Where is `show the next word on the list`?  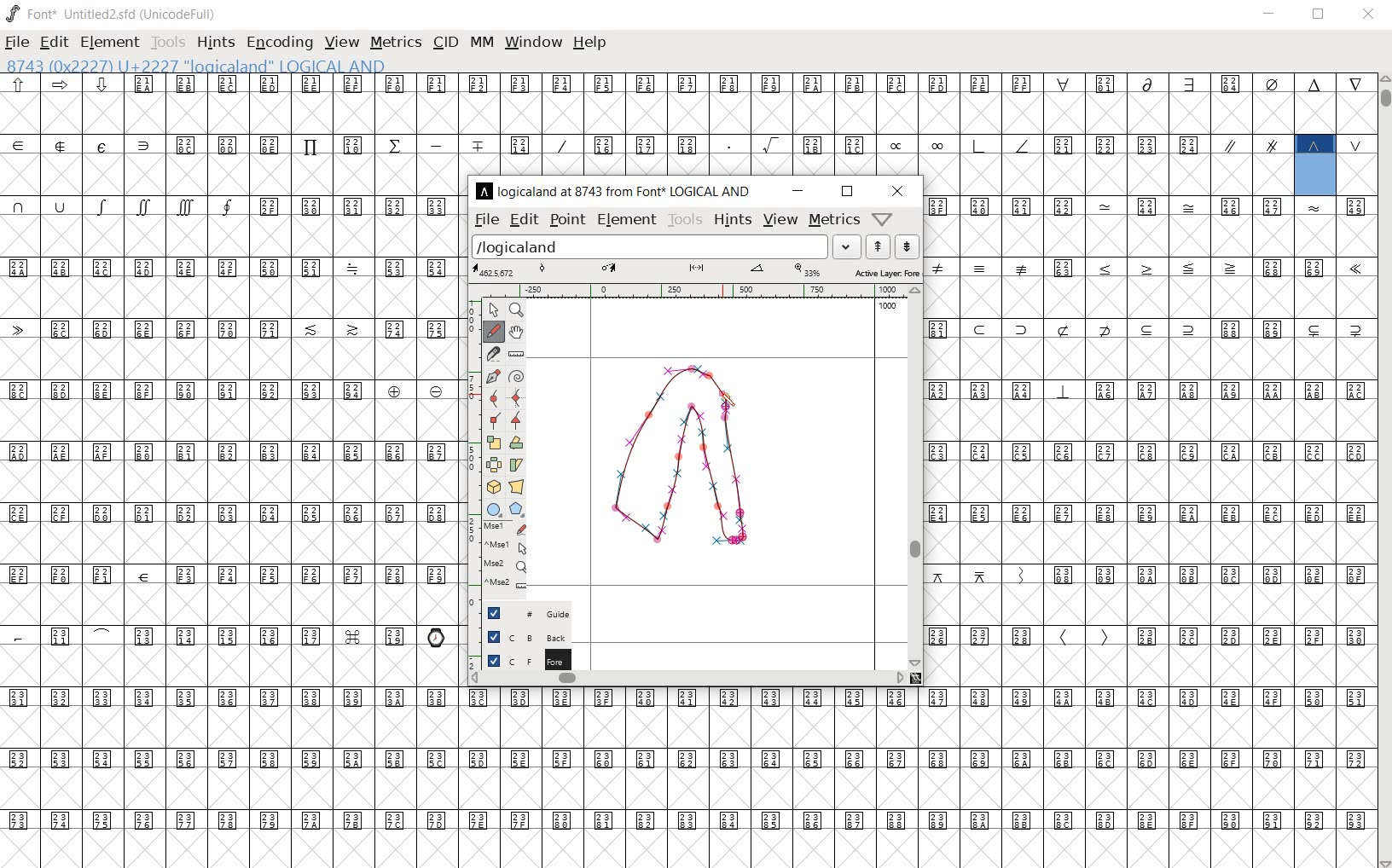 show the next word on the list is located at coordinates (879, 246).